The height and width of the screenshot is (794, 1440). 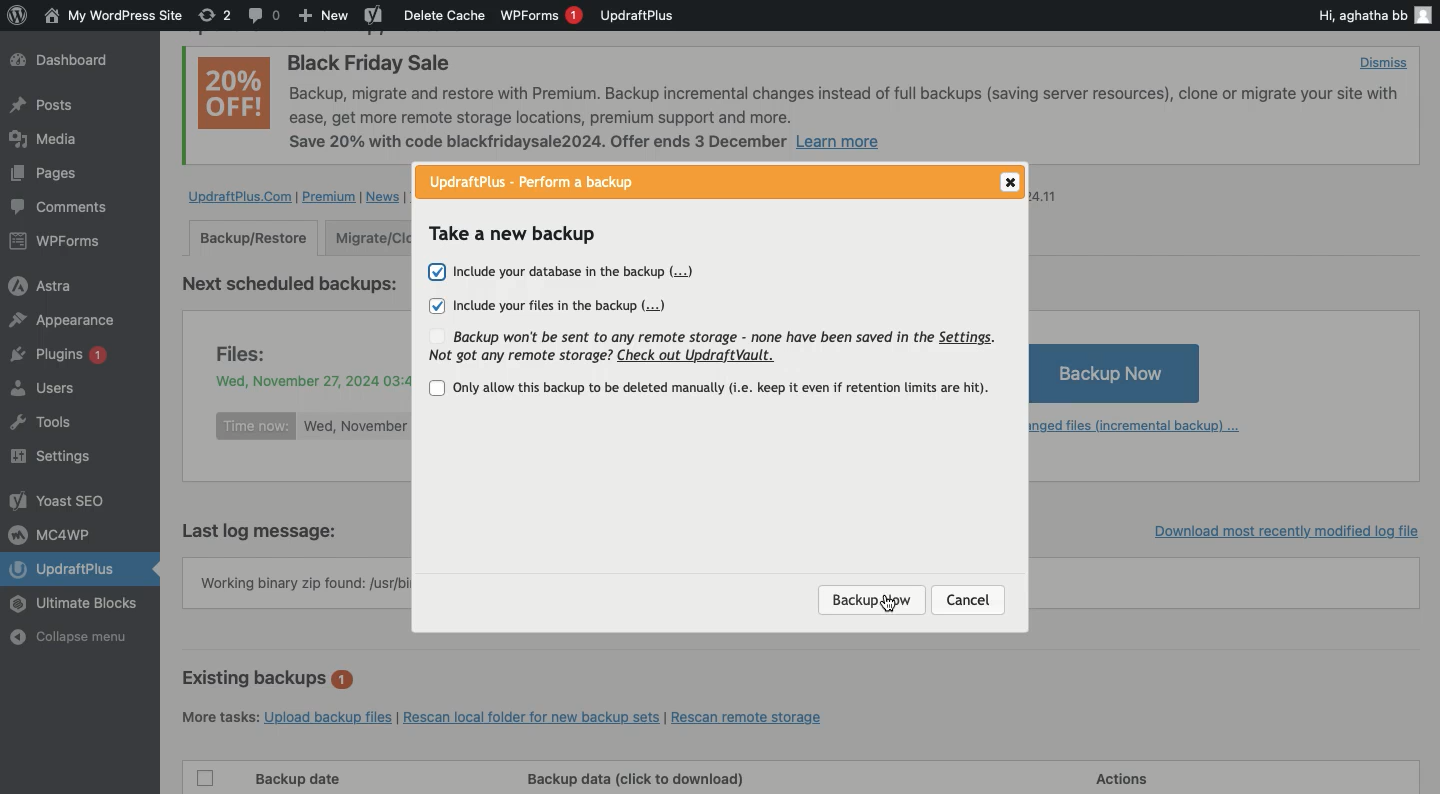 I want to click on Only allow this backup to be deleted manually, so click(x=716, y=392).